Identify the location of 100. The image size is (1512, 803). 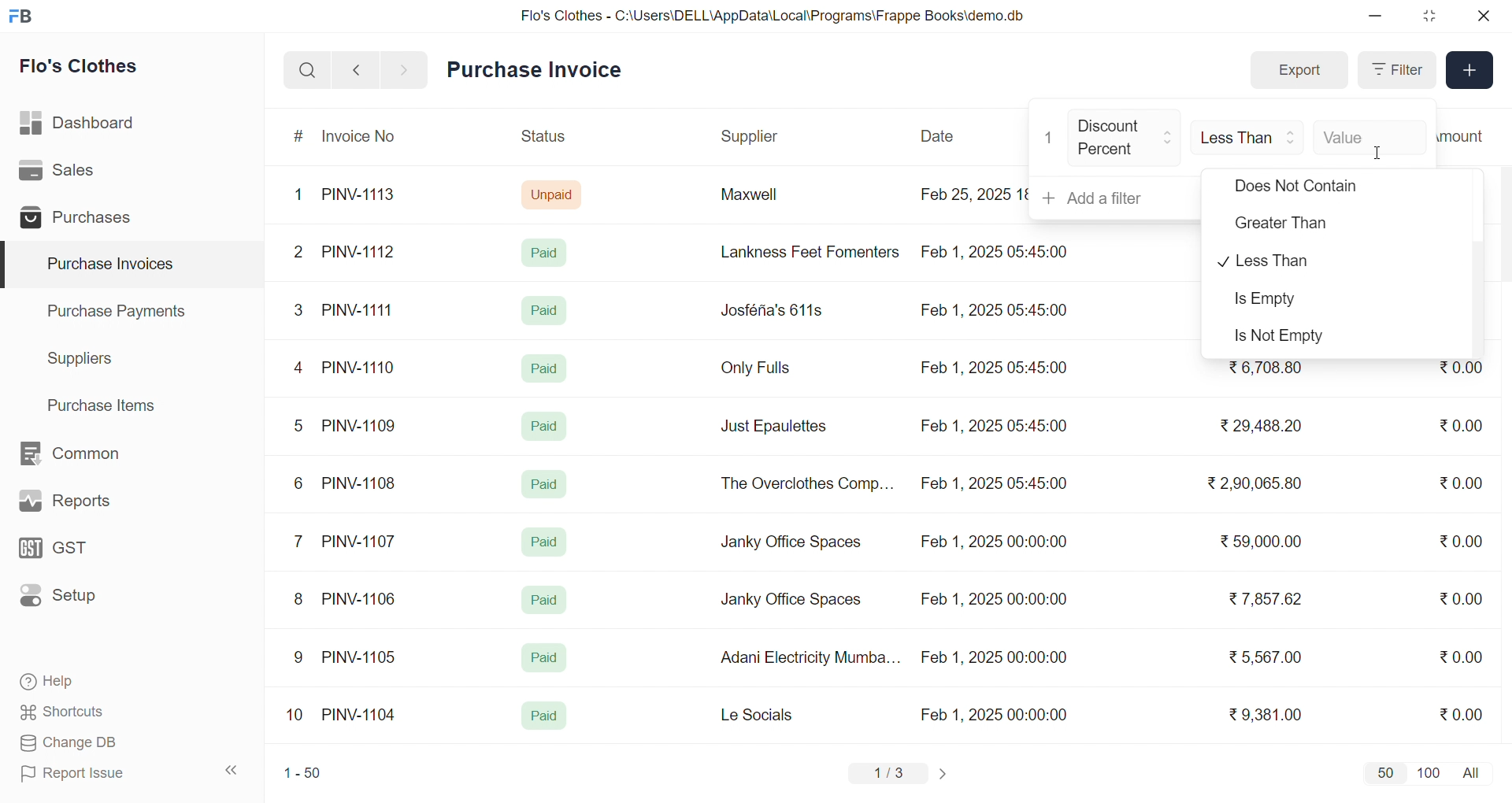
(1426, 772).